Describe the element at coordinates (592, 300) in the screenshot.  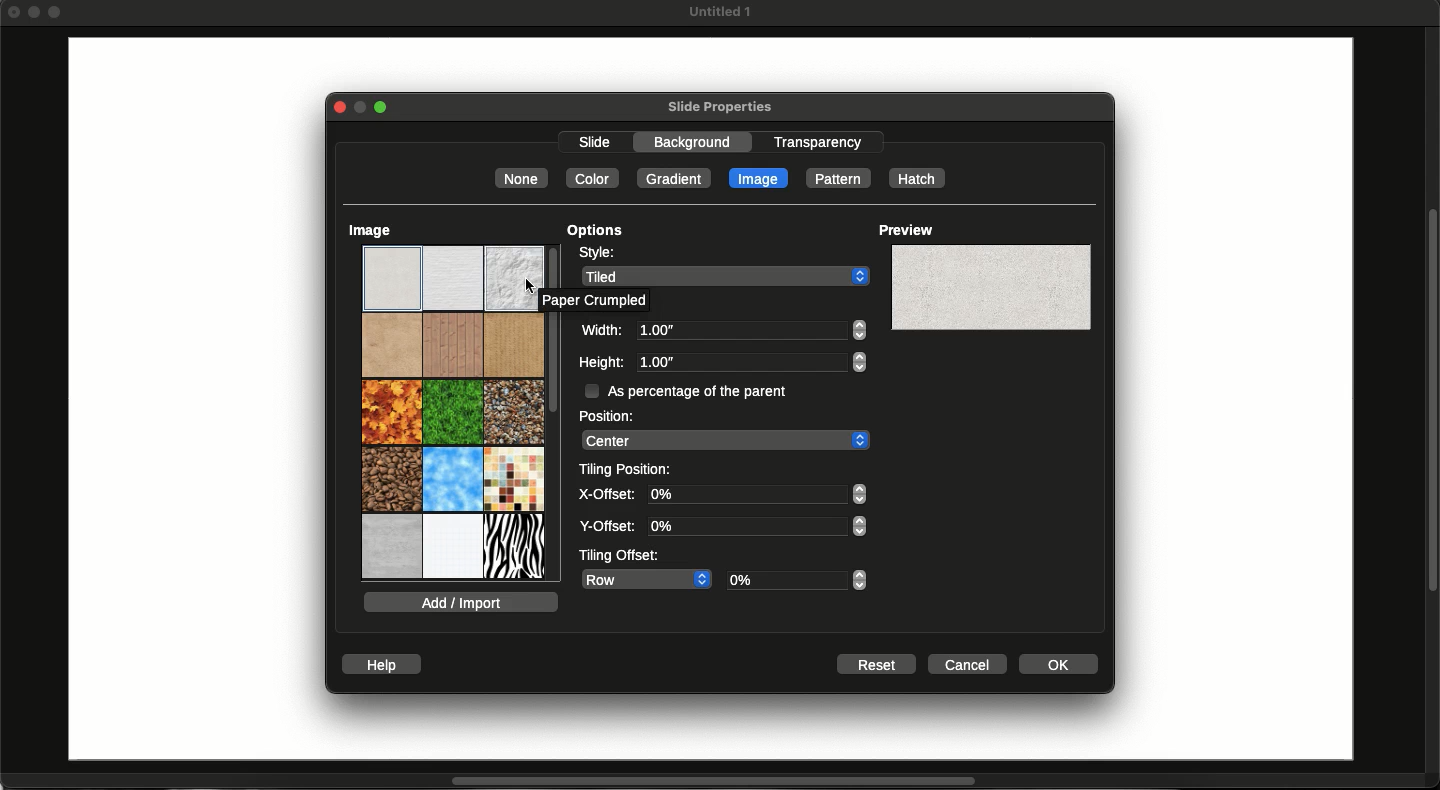
I see `Paper crumpled` at that location.